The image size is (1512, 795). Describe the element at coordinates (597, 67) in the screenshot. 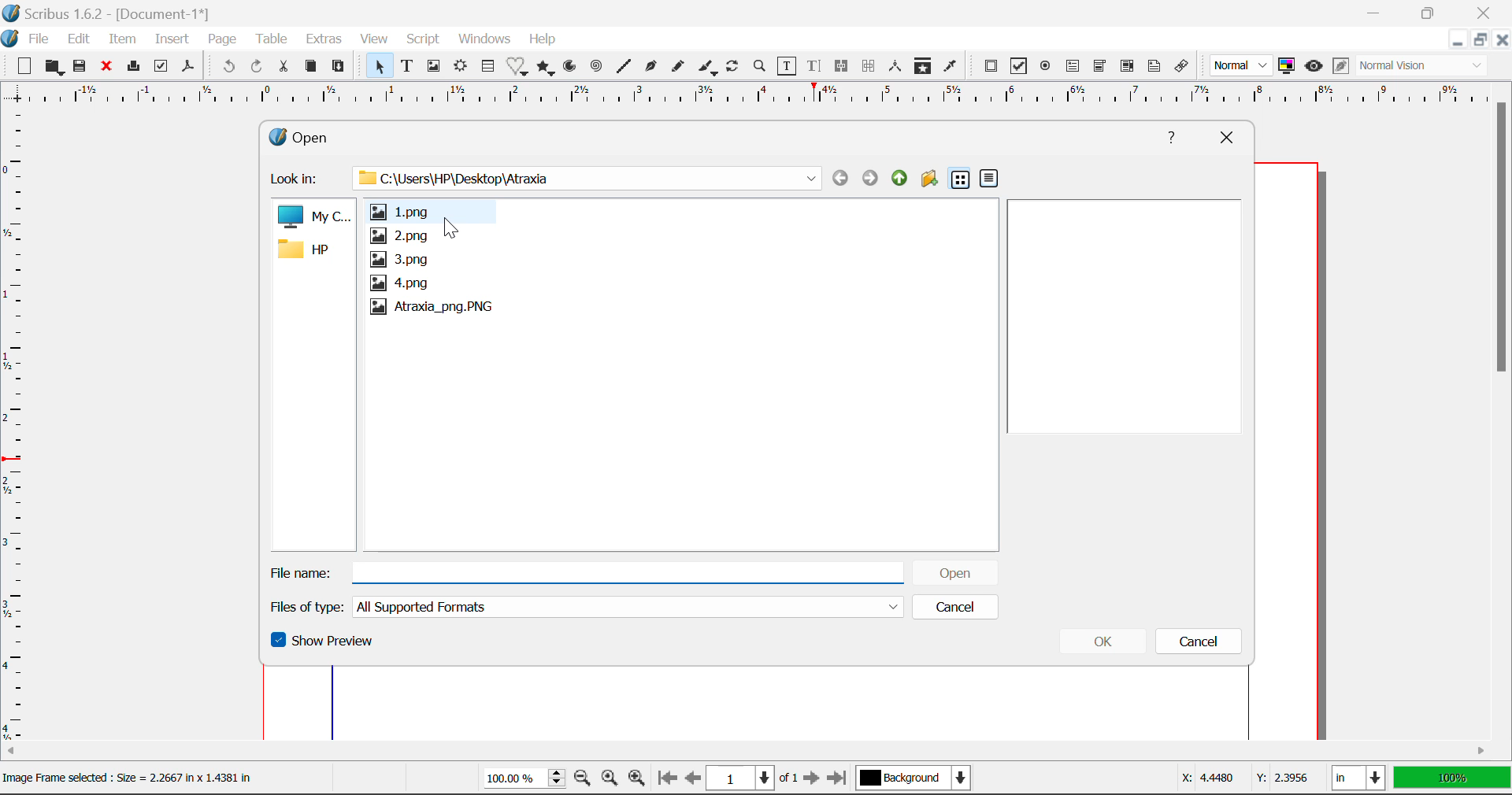

I see `Spiral` at that location.